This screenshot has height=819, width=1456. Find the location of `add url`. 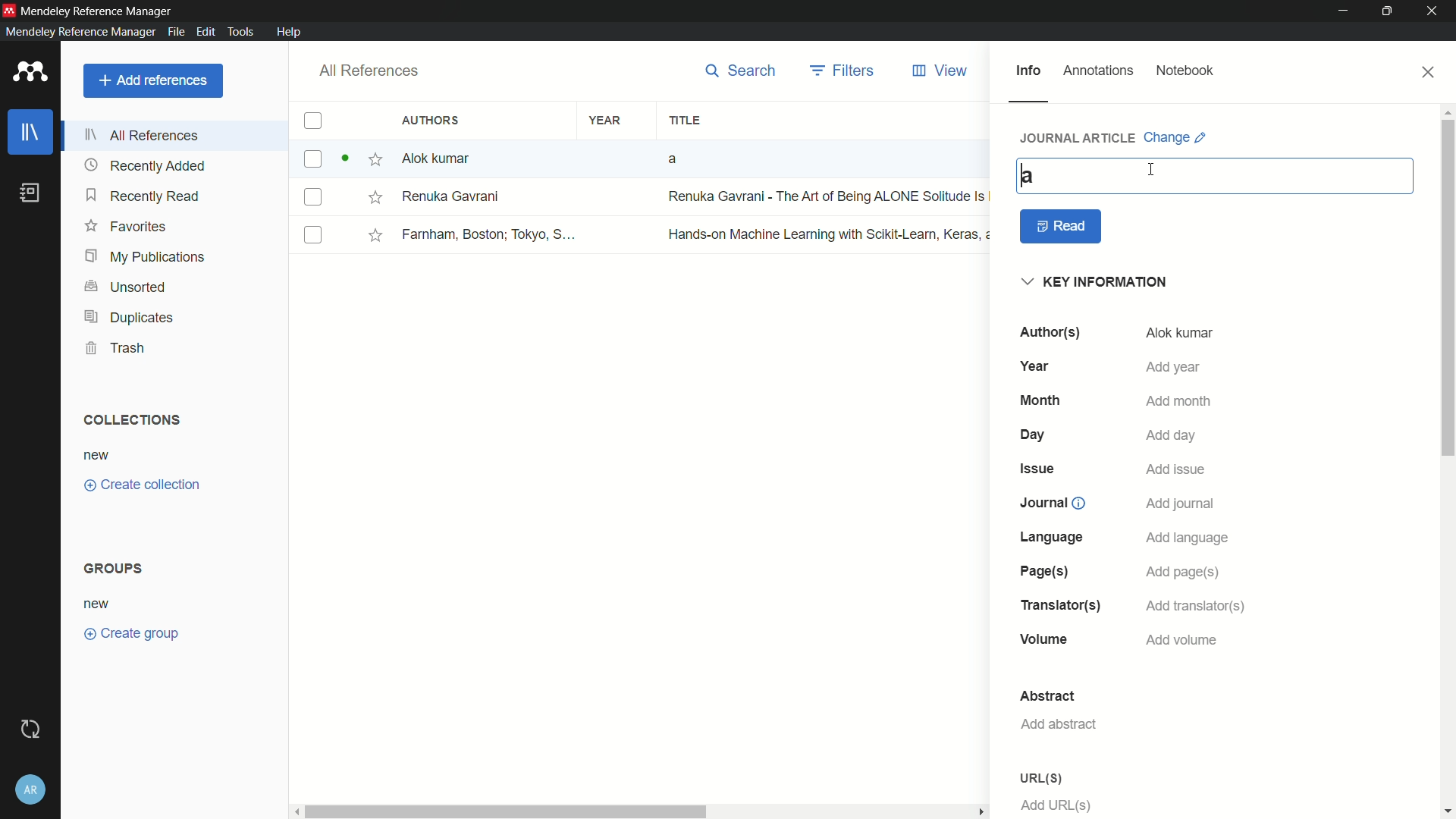

add url is located at coordinates (1057, 805).